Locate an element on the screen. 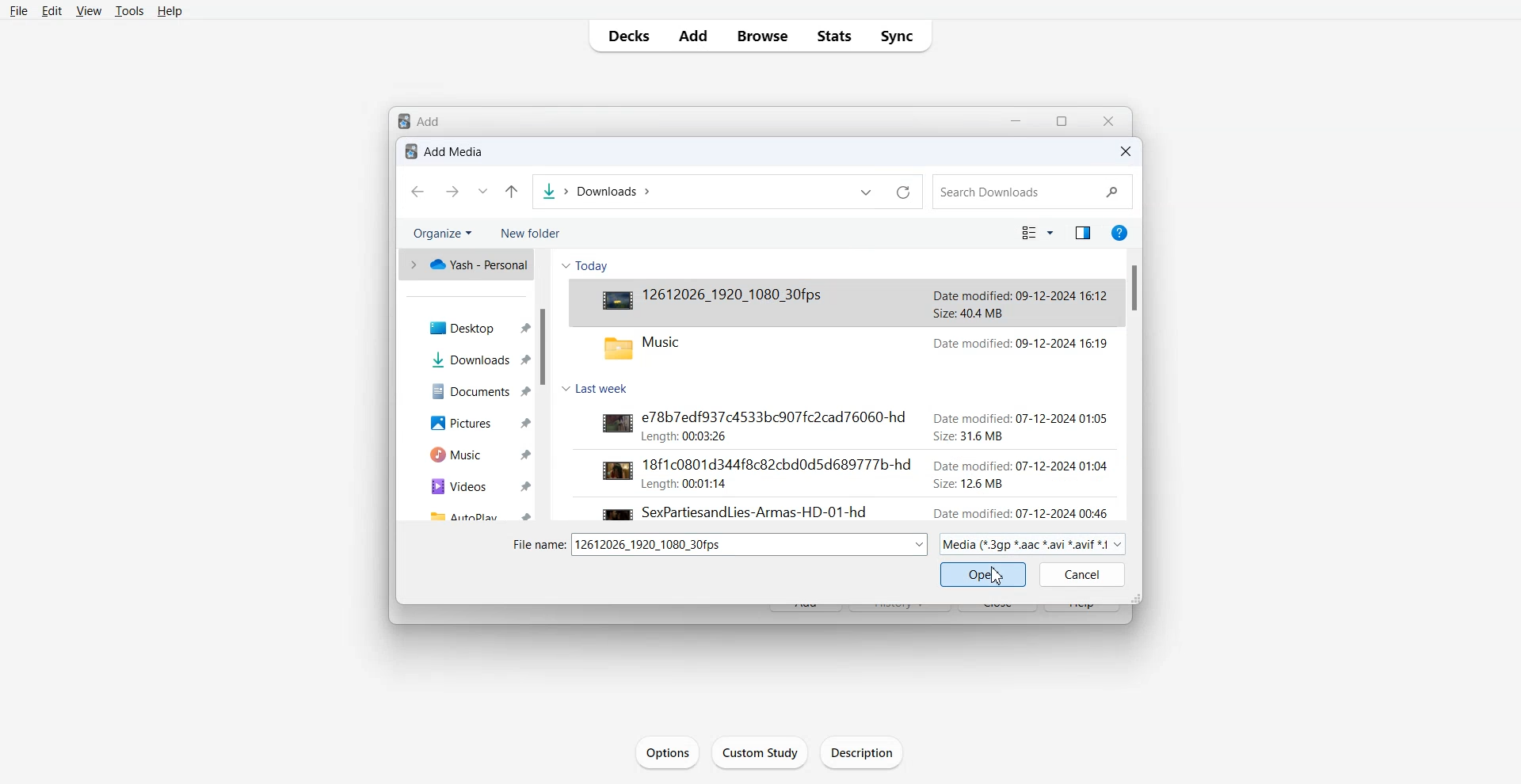  Vertical Scroll bar is located at coordinates (1135, 292).